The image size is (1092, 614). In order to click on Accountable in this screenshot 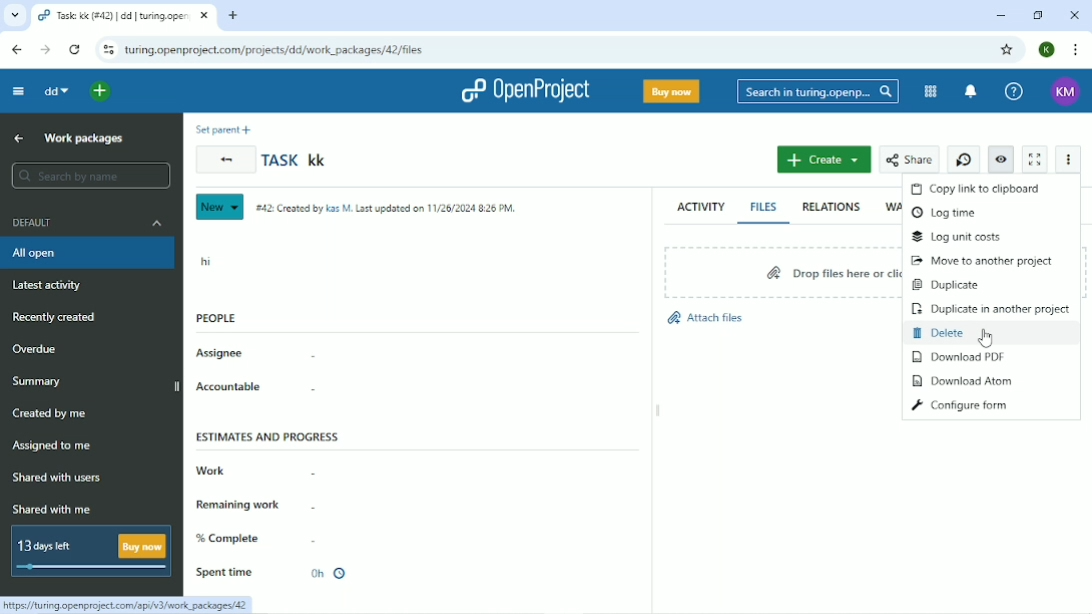, I will do `click(257, 389)`.